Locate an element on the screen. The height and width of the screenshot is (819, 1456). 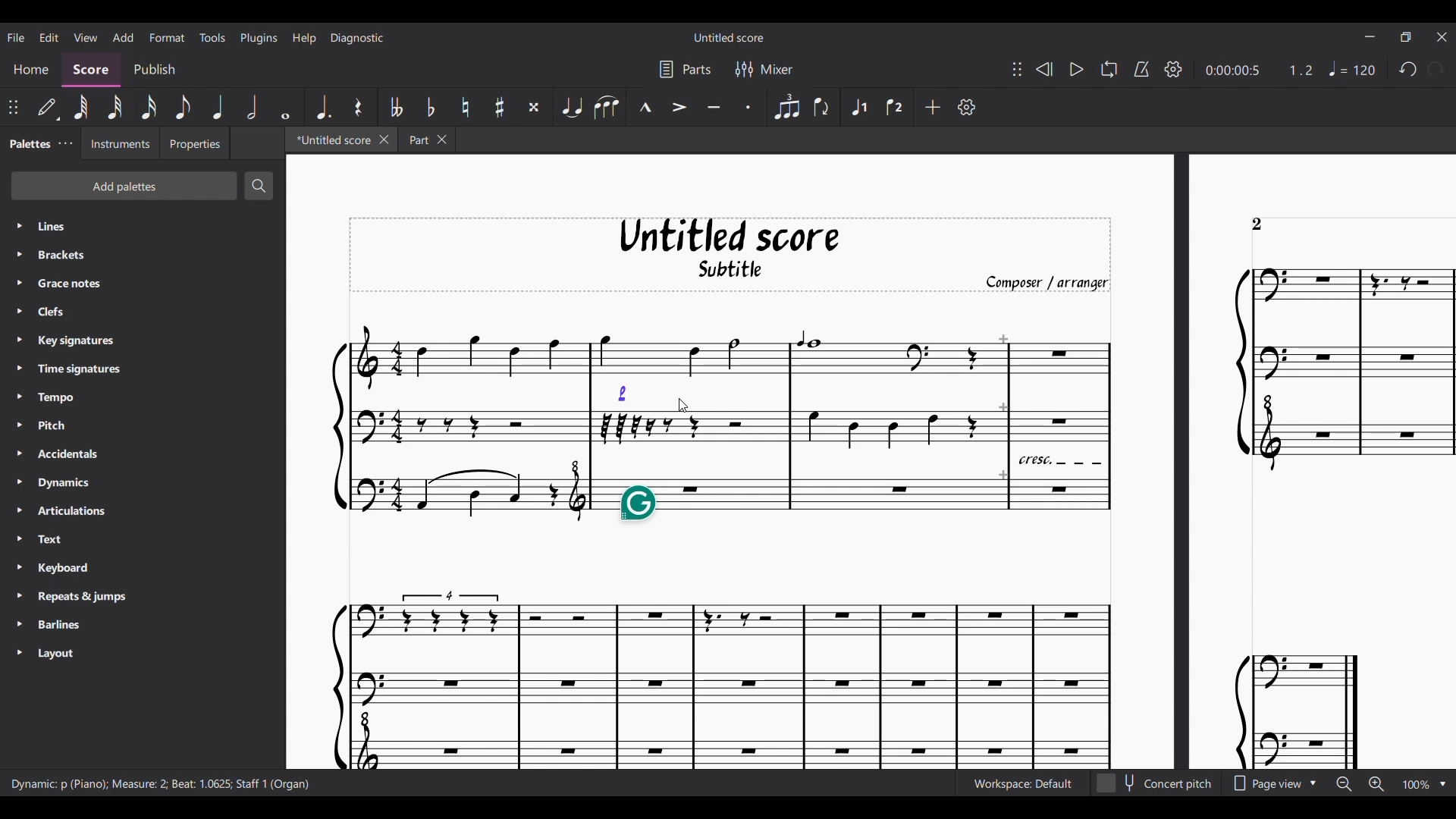
32nd note is located at coordinates (115, 107).